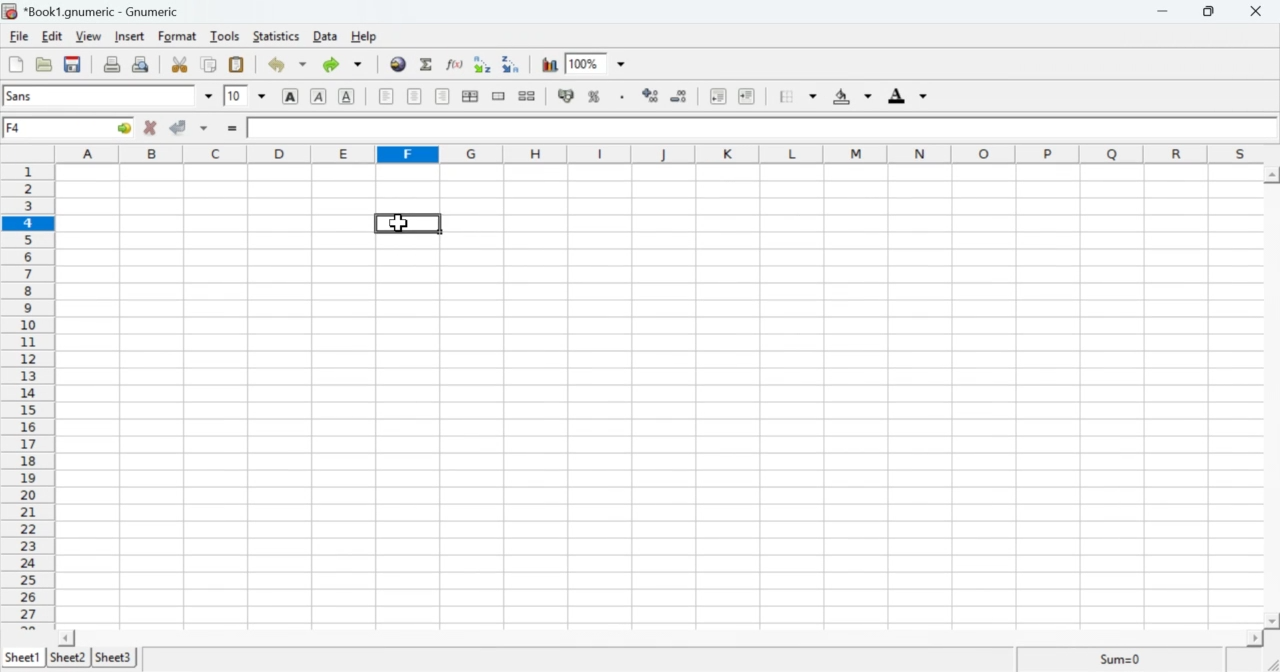 The height and width of the screenshot is (672, 1280). What do you see at coordinates (142, 65) in the screenshot?
I see `Print preview` at bounding box center [142, 65].